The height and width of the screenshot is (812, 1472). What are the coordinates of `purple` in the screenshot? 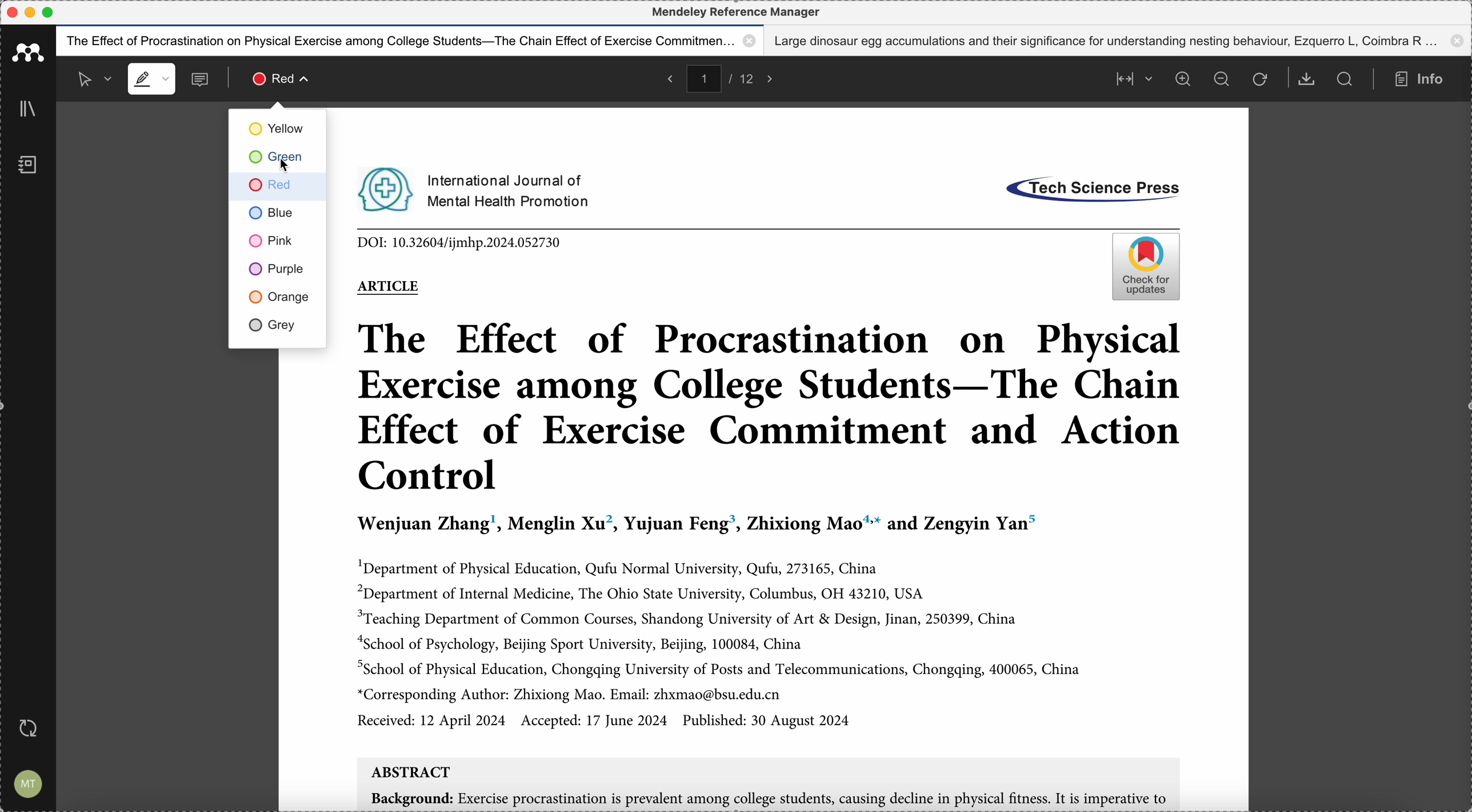 It's located at (277, 271).